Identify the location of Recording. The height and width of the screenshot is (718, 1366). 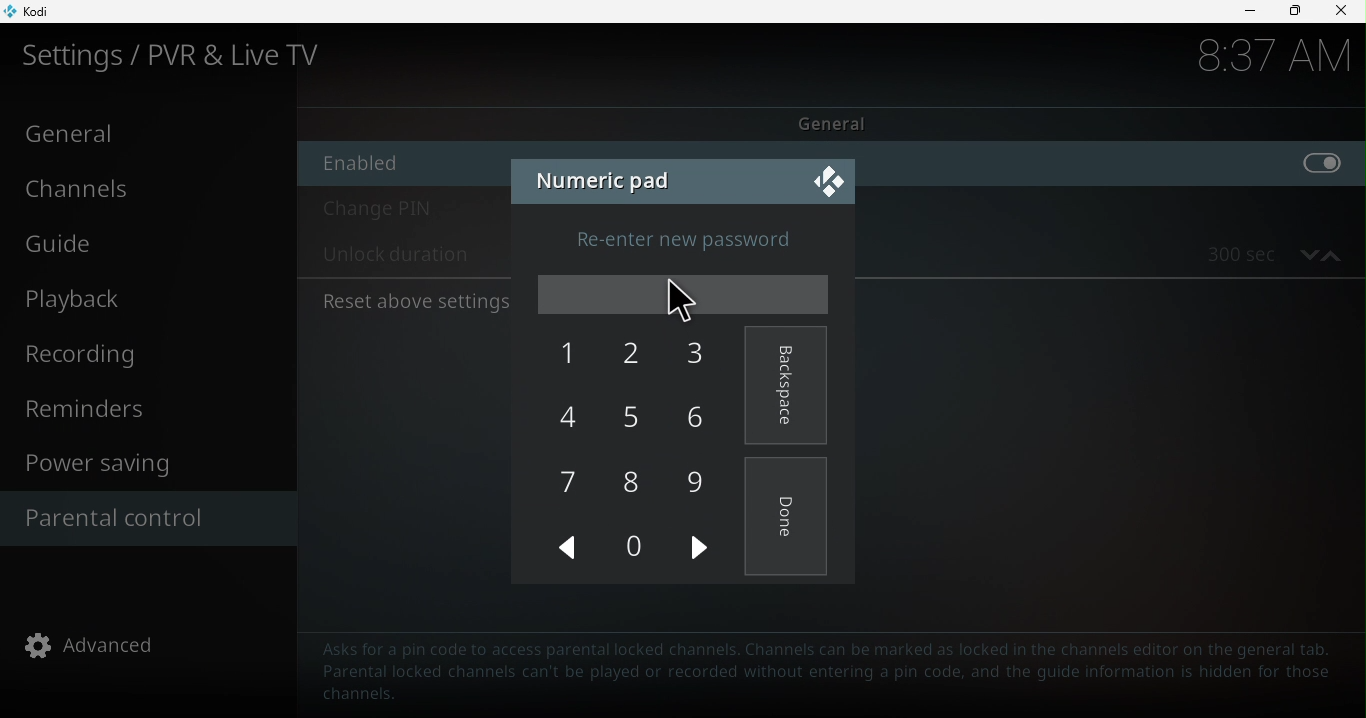
(144, 352).